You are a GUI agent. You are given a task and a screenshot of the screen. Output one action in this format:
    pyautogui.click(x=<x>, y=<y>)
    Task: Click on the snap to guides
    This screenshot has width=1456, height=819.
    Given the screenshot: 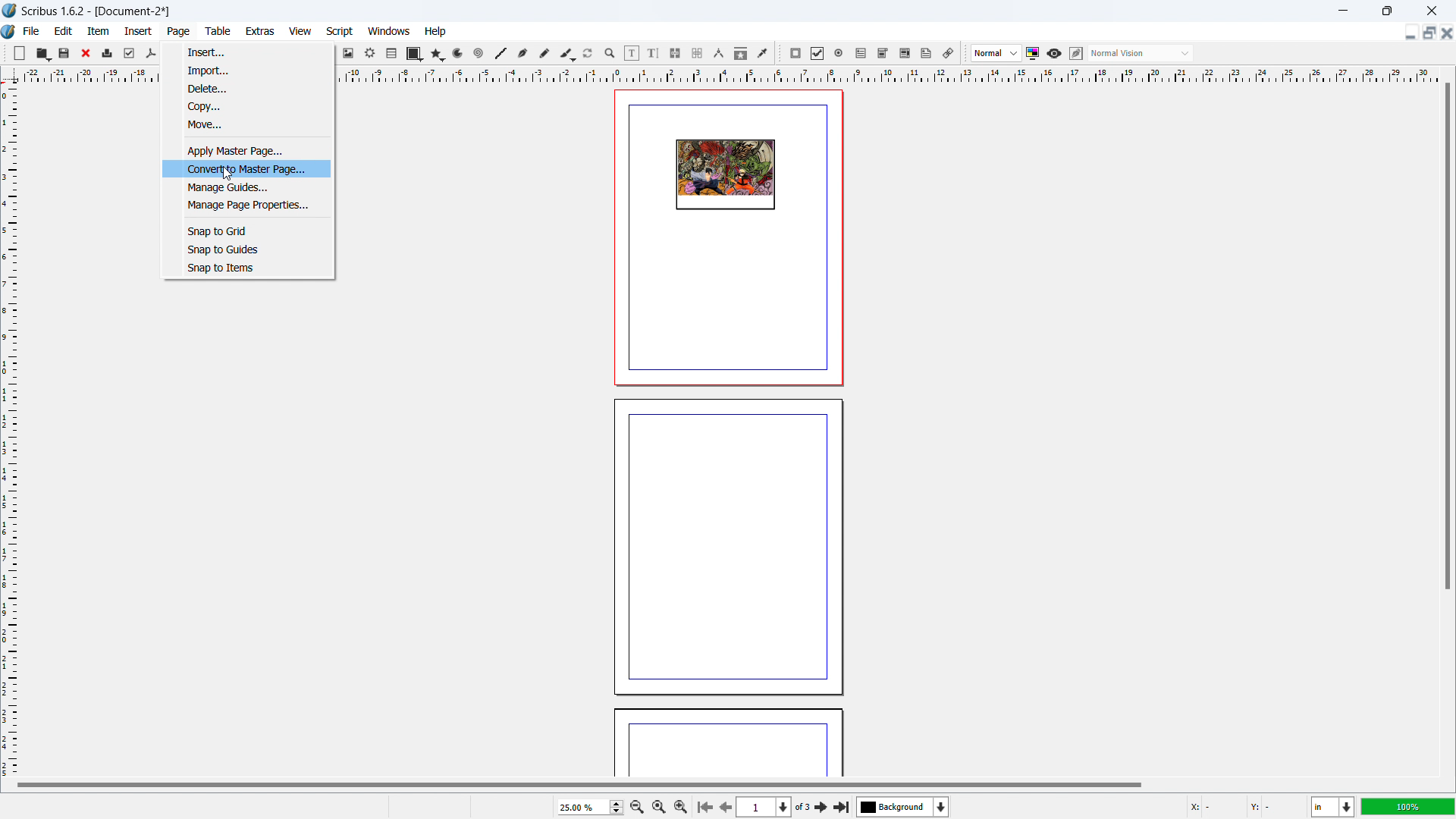 What is the action you would take?
    pyautogui.click(x=246, y=249)
    